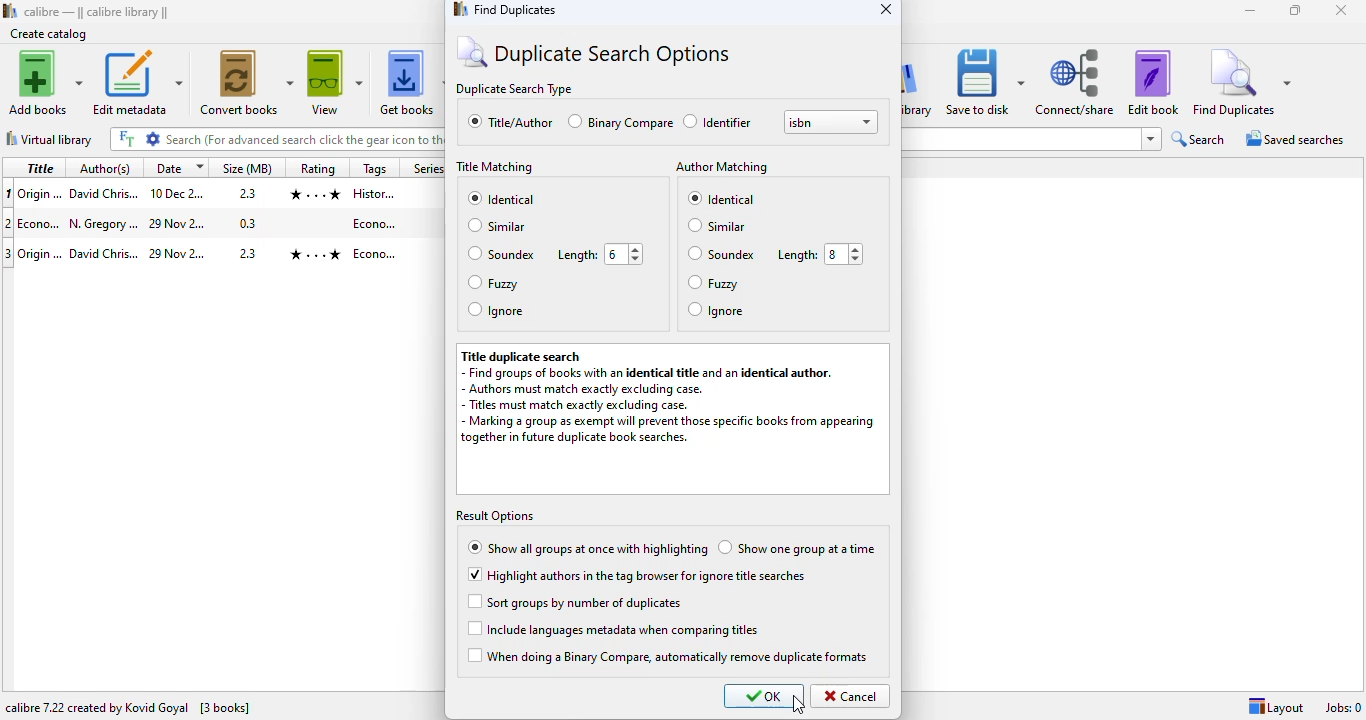  What do you see at coordinates (412, 81) in the screenshot?
I see `get books` at bounding box center [412, 81].